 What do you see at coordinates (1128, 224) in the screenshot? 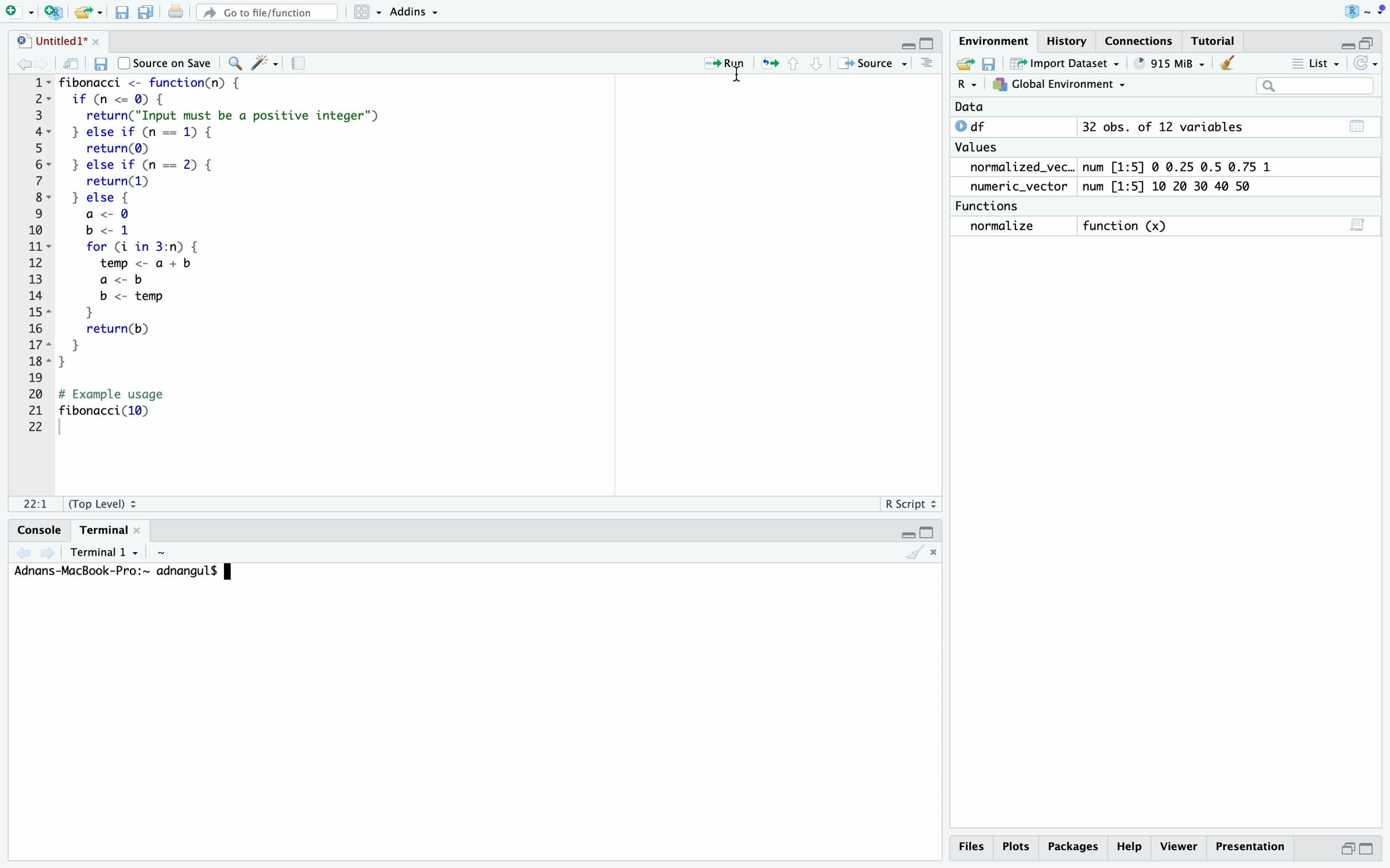
I see `function (x)` at bounding box center [1128, 224].